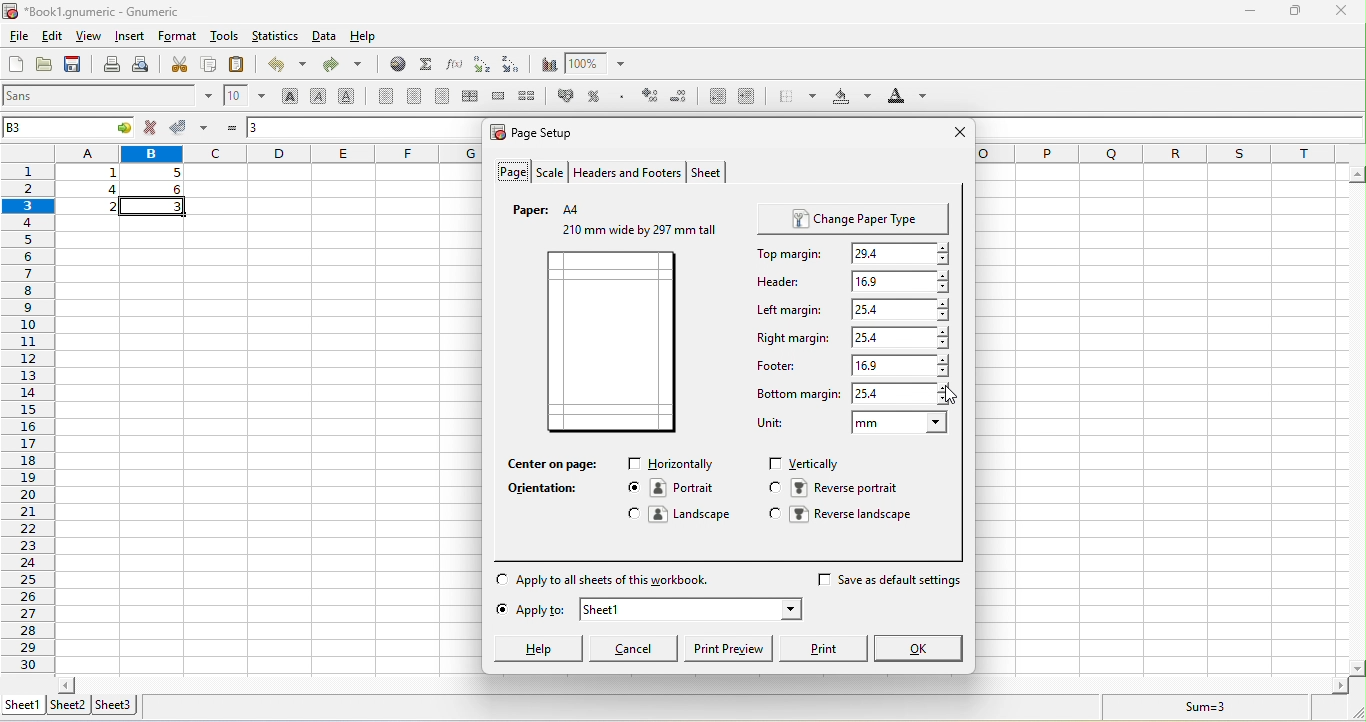 The image size is (1366, 722). I want to click on close, so click(1340, 11).